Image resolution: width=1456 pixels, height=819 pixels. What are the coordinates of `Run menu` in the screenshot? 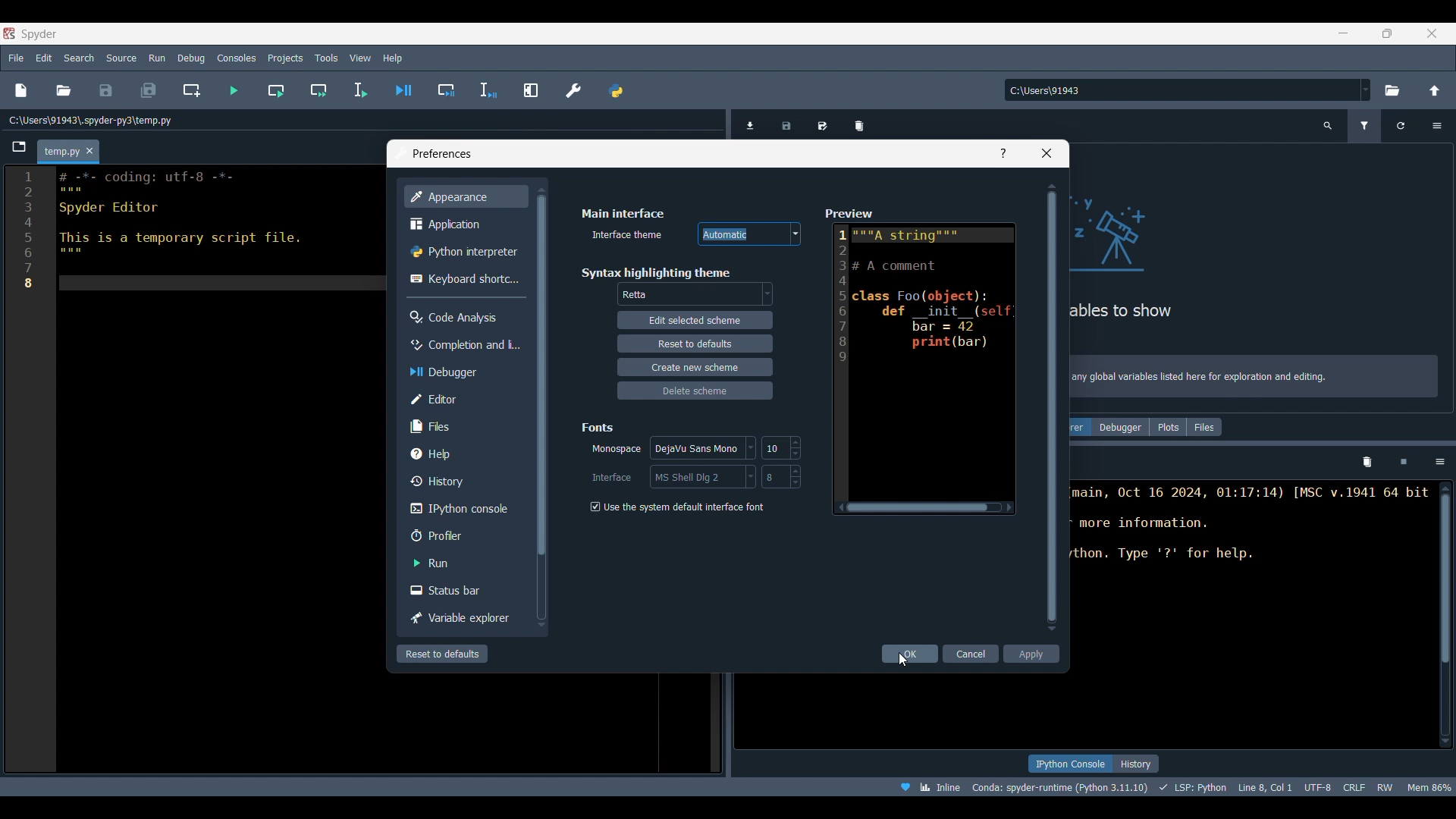 It's located at (157, 56).